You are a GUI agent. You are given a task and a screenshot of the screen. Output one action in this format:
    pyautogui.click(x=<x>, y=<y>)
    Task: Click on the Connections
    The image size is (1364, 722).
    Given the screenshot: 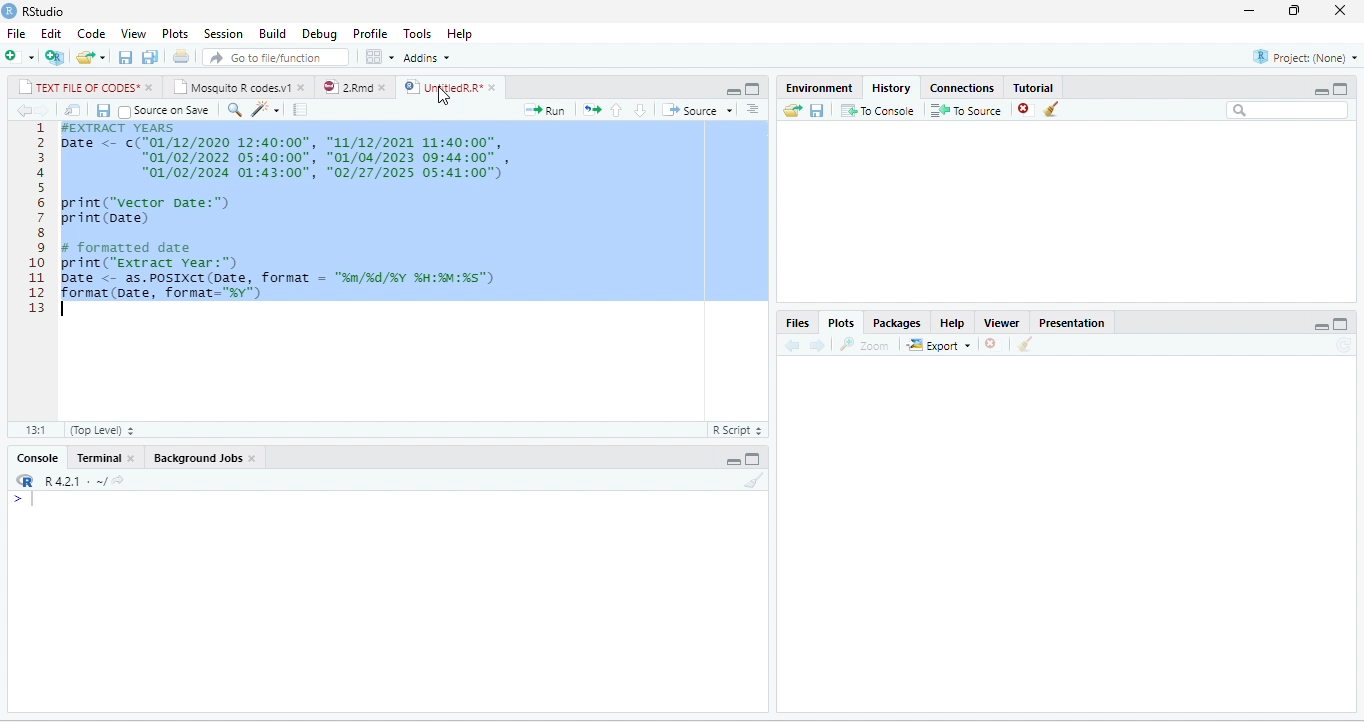 What is the action you would take?
    pyautogui.click(x=963, y=89)
    